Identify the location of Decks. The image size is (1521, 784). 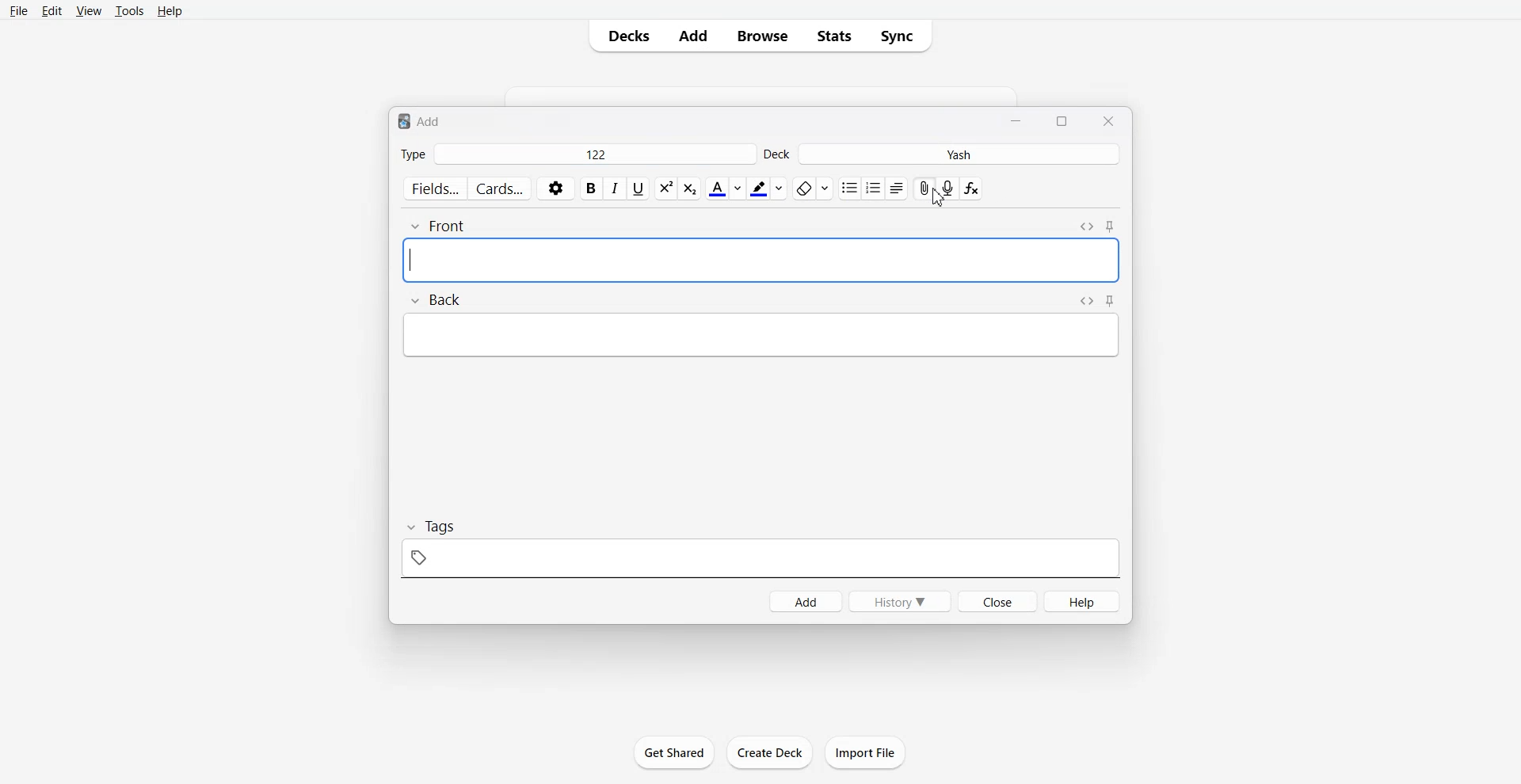
(626, 36).